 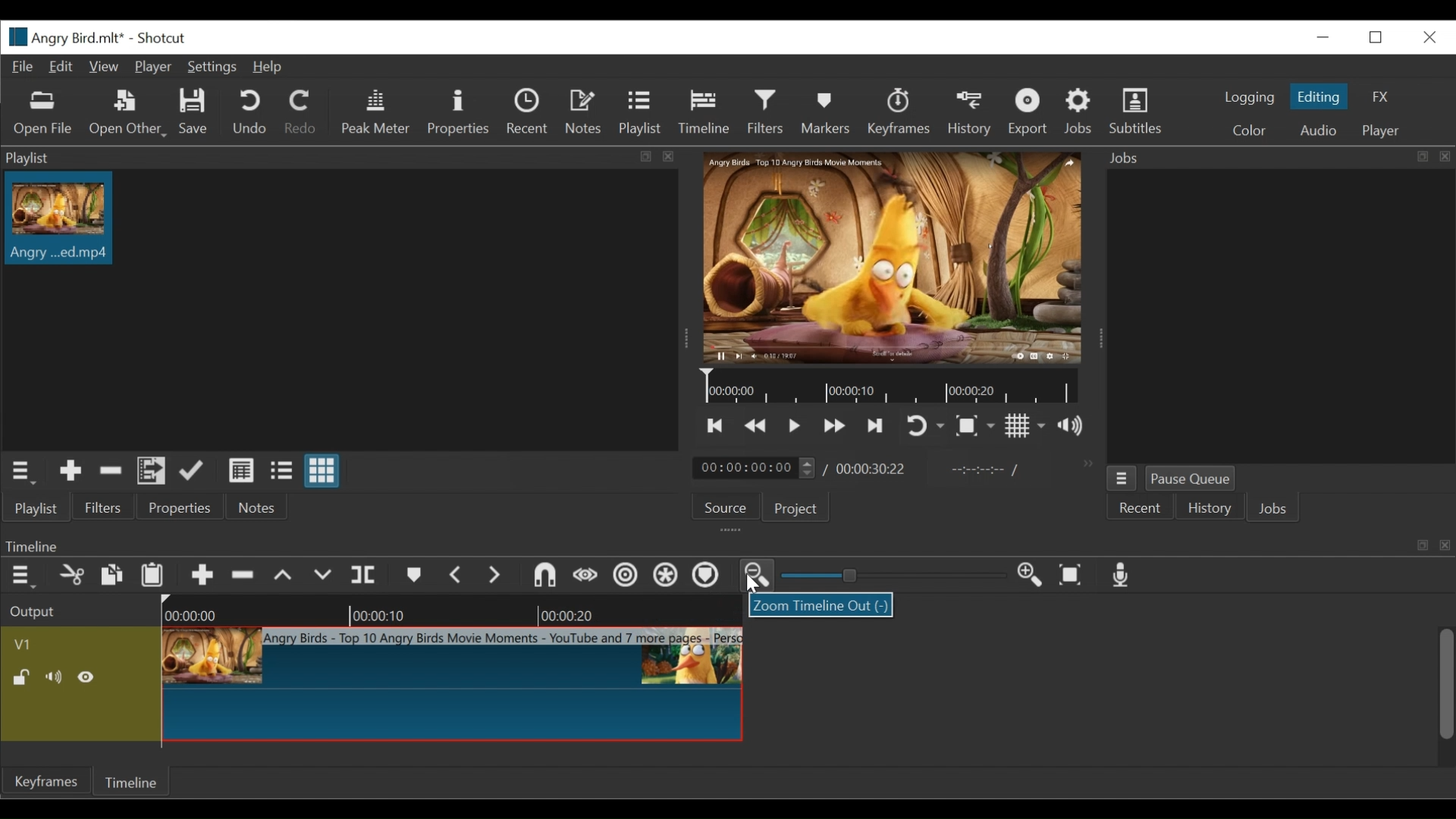 What do you see at coordinates (1029, 113) in the screenshot?
I see `Export` at bounding box center [1029, 113].